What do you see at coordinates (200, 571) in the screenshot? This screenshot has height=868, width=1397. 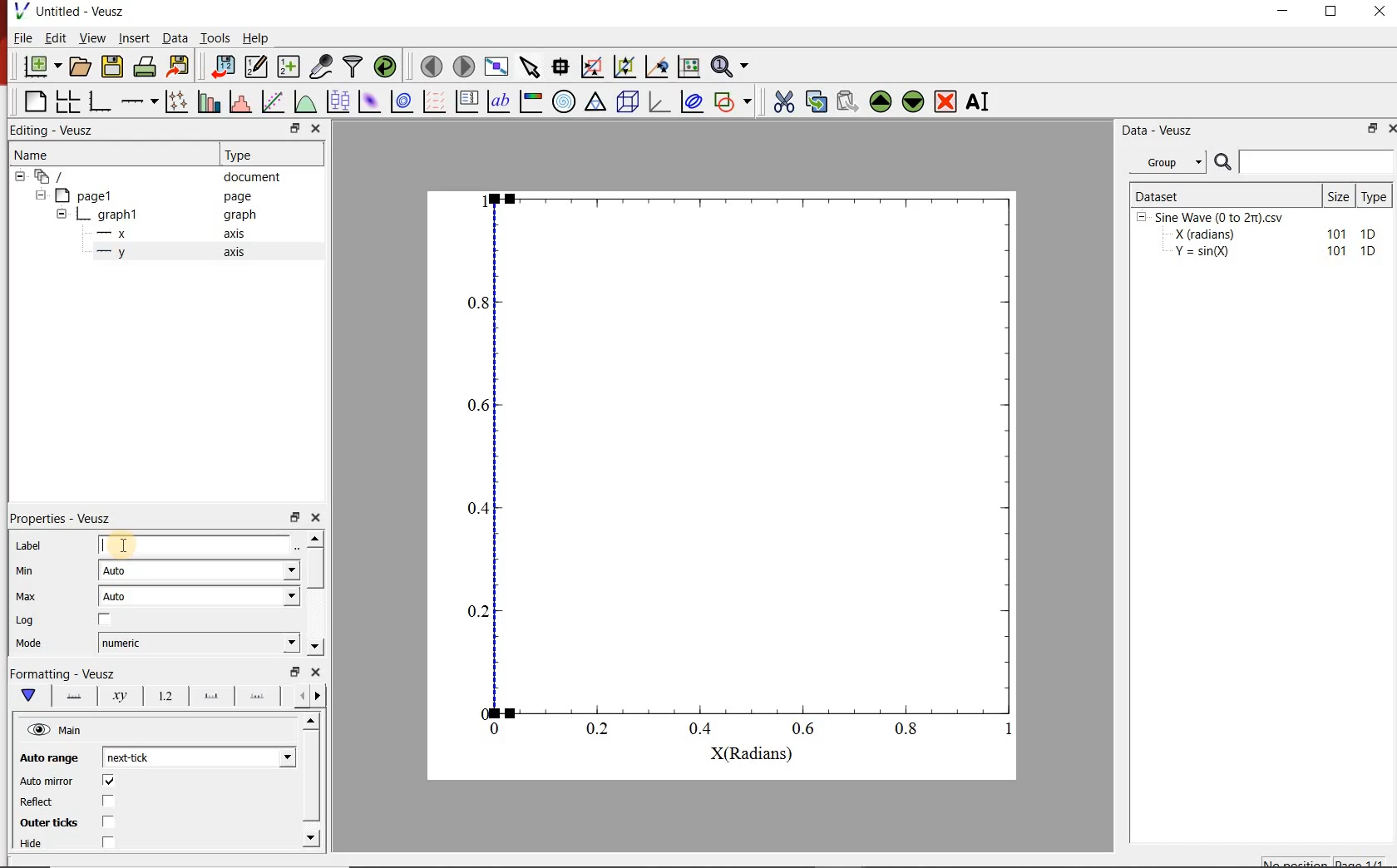 I see `Auto` at bounding box center [200, 571].